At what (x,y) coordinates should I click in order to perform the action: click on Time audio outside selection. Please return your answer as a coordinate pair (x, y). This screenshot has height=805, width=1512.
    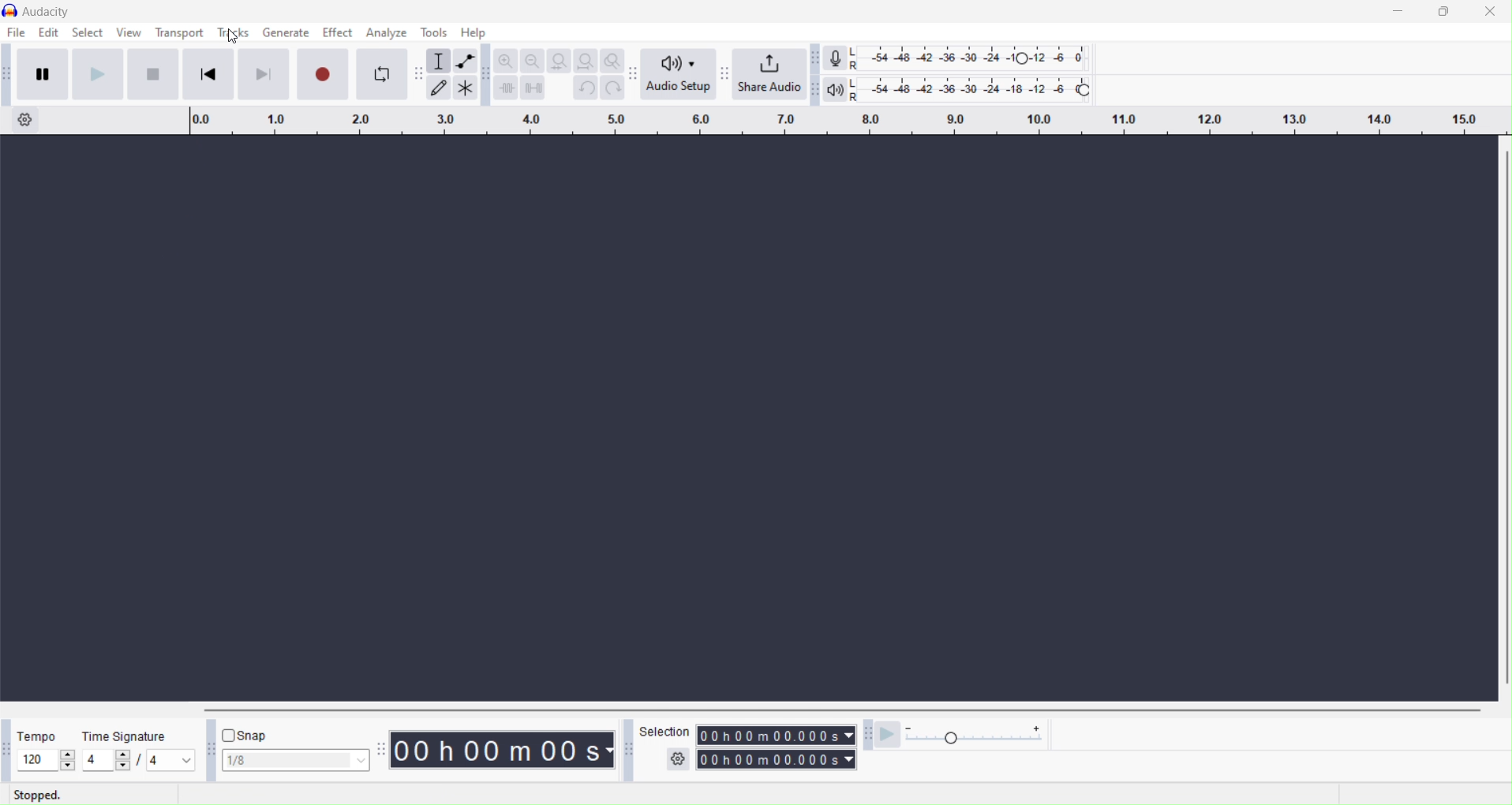
    Looking at the image, I should click on (508, 88).